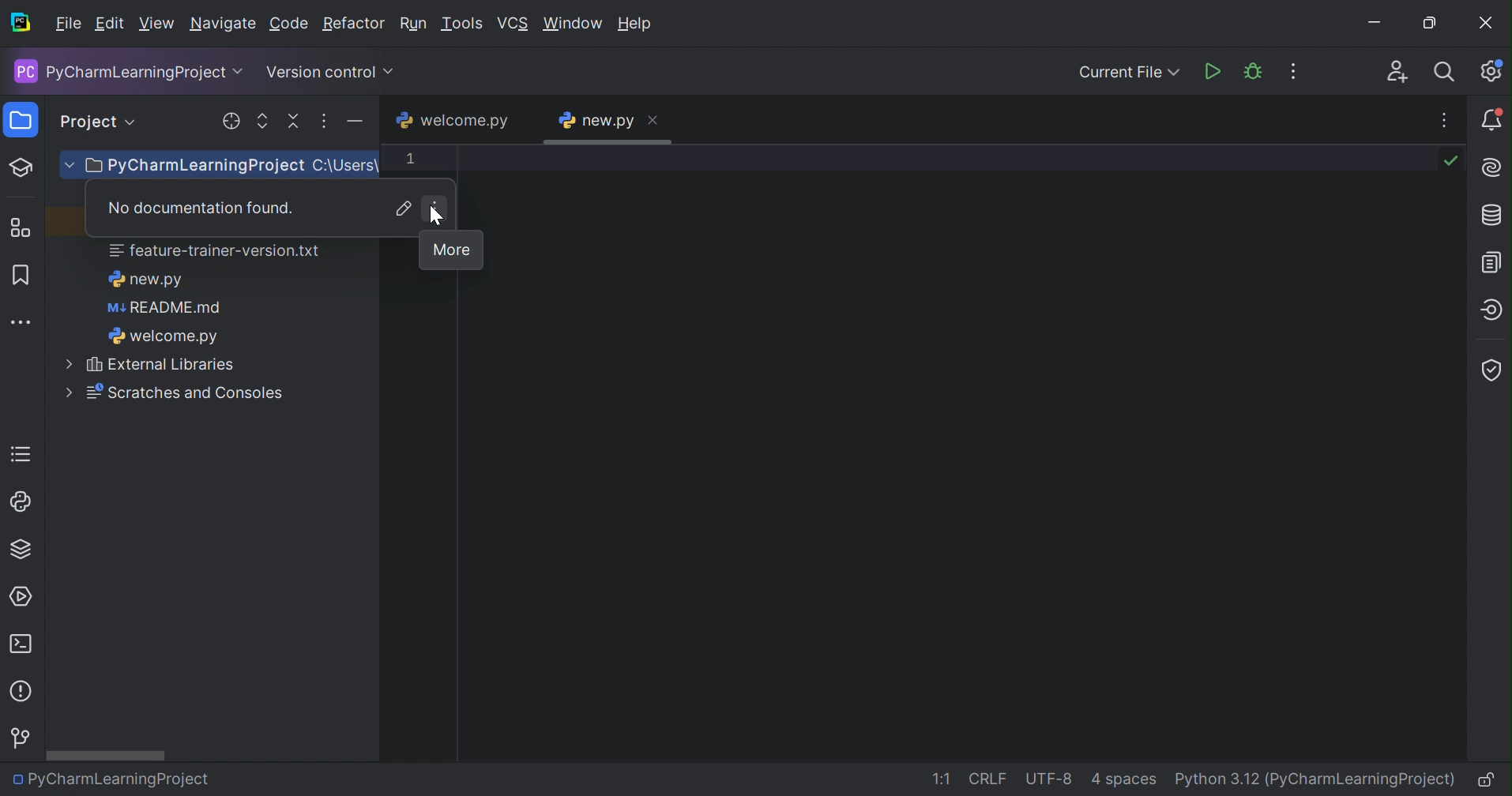  Describe the element at coordinates (19, 454) in the screenshot. I see `TODO` at that location.